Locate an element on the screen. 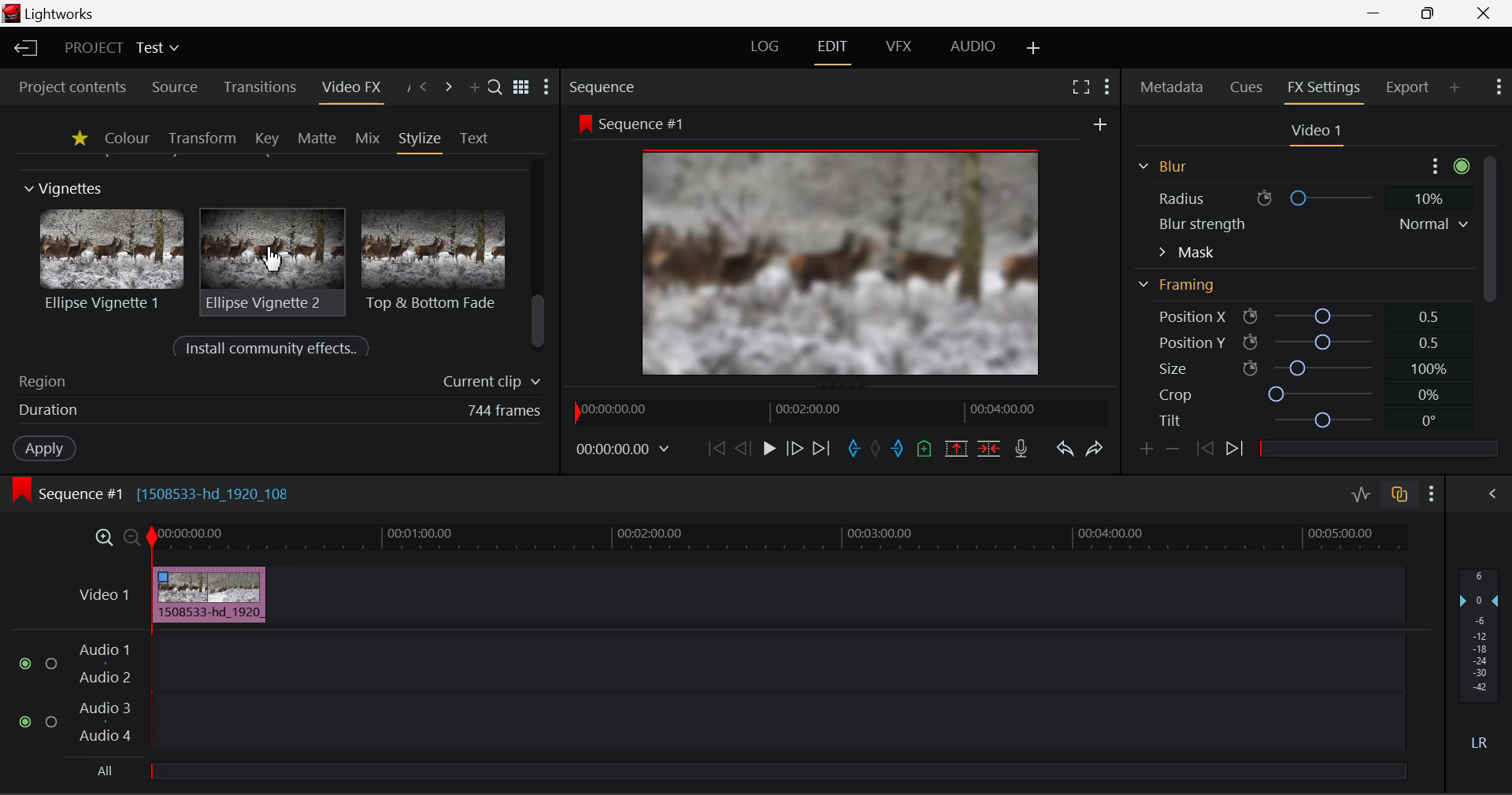  Remove all marks is located at coordinates (876, 446).